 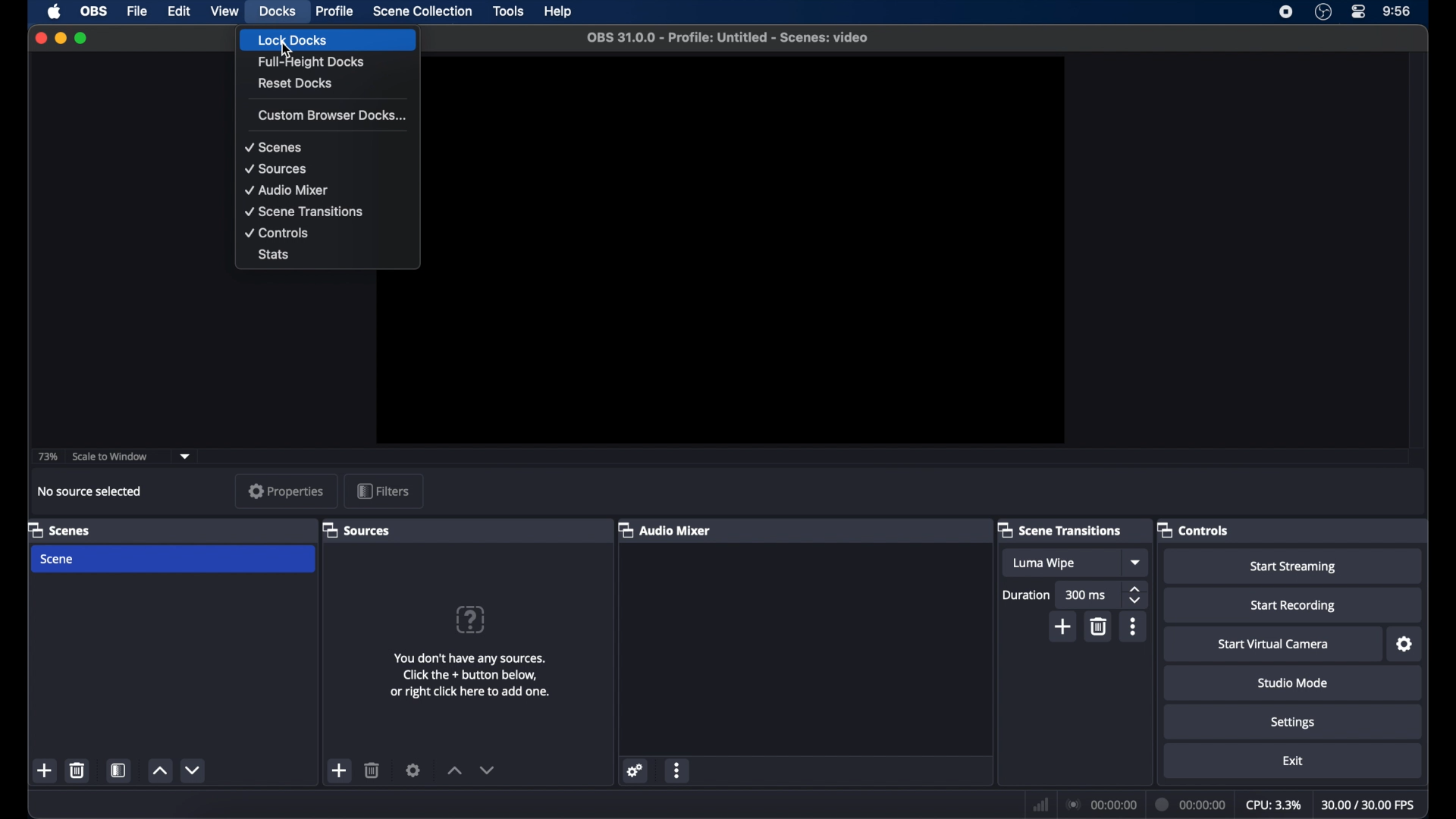 What do you see at coordinates (276, 255) in the screenshot?
I see `stats` at bounding box center [276, 255].